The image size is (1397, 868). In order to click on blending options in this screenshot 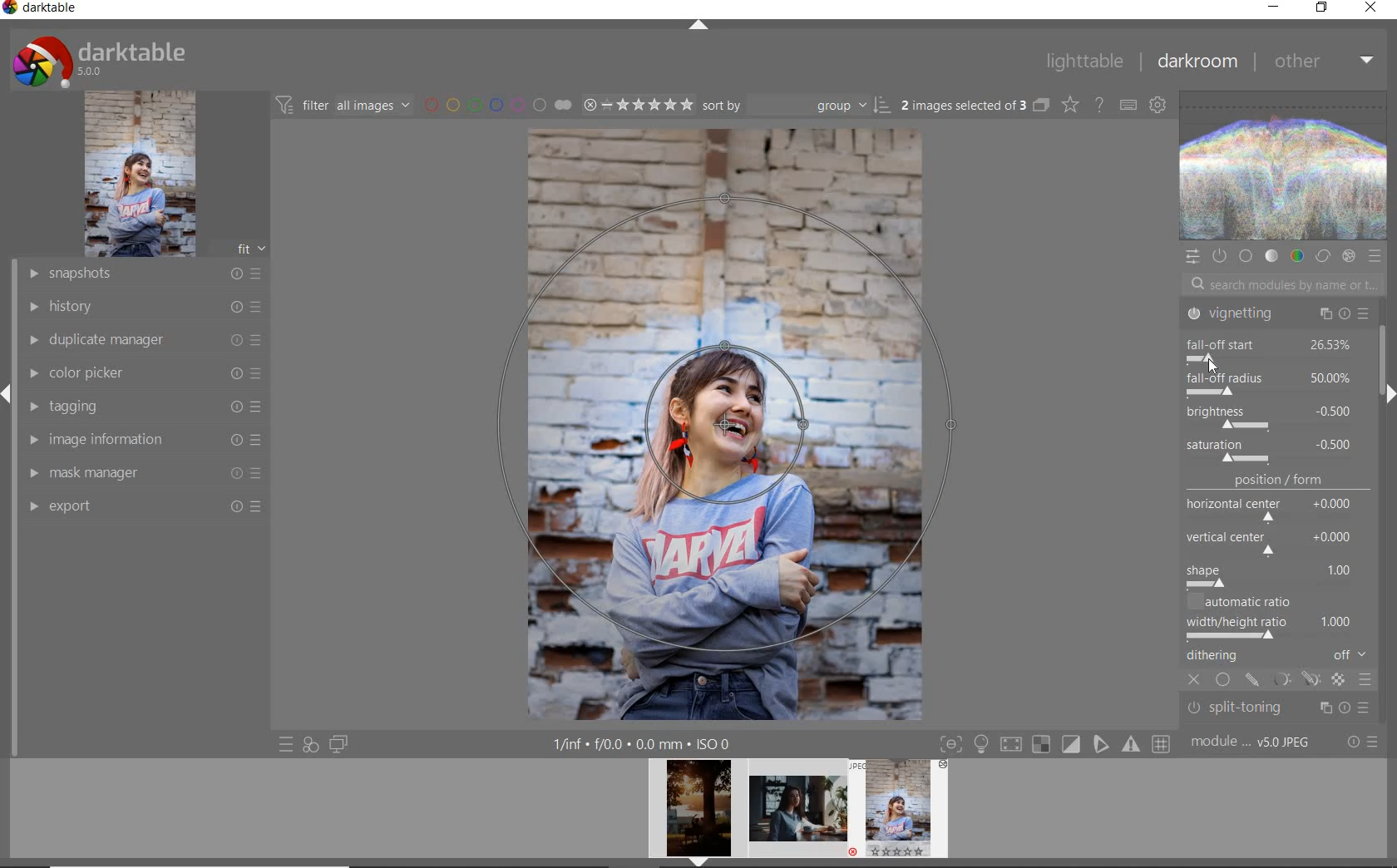, I will do `click(1365, 682)`.